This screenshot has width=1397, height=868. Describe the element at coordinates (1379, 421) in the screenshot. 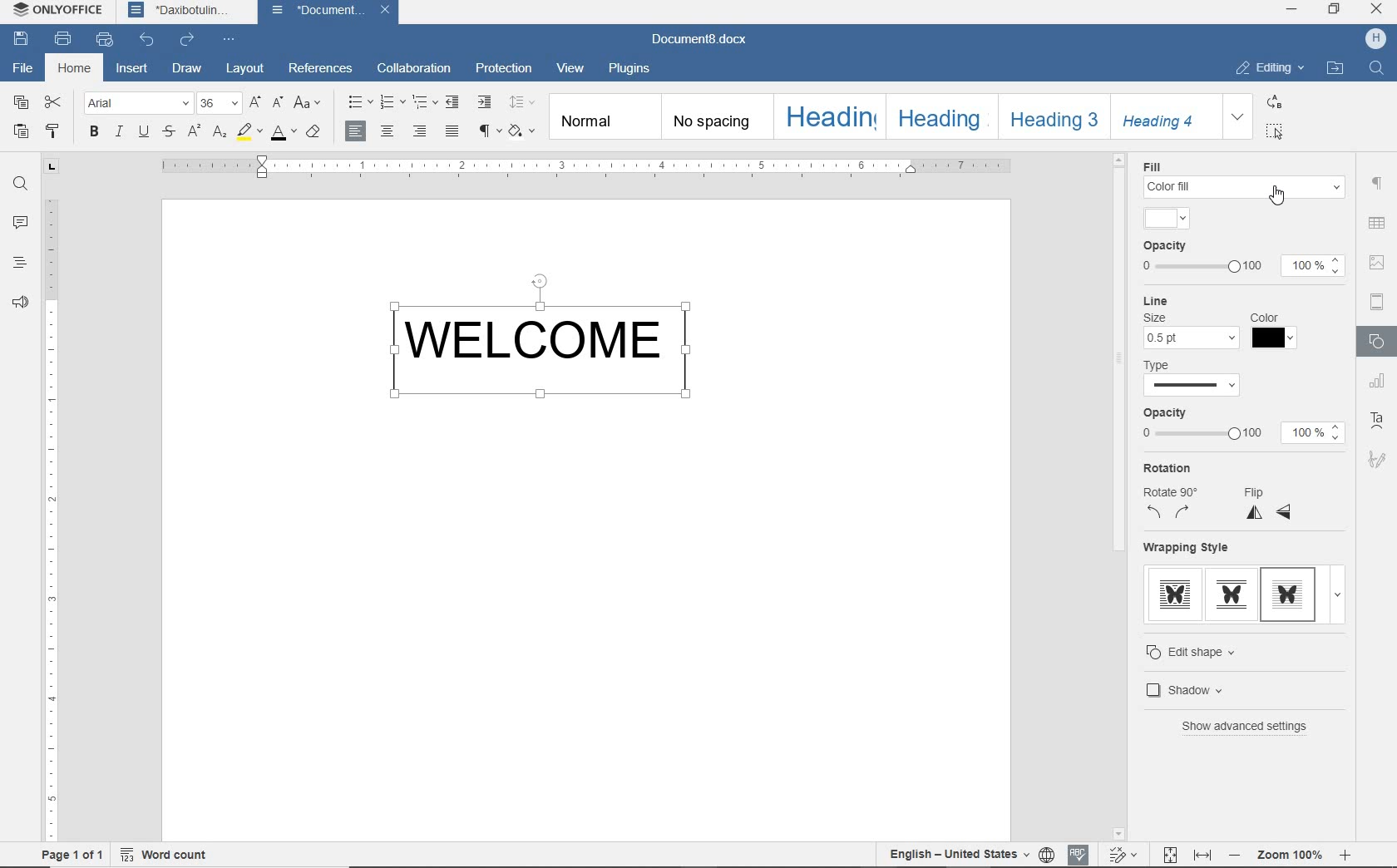

I see `TEXT ART` at that location.